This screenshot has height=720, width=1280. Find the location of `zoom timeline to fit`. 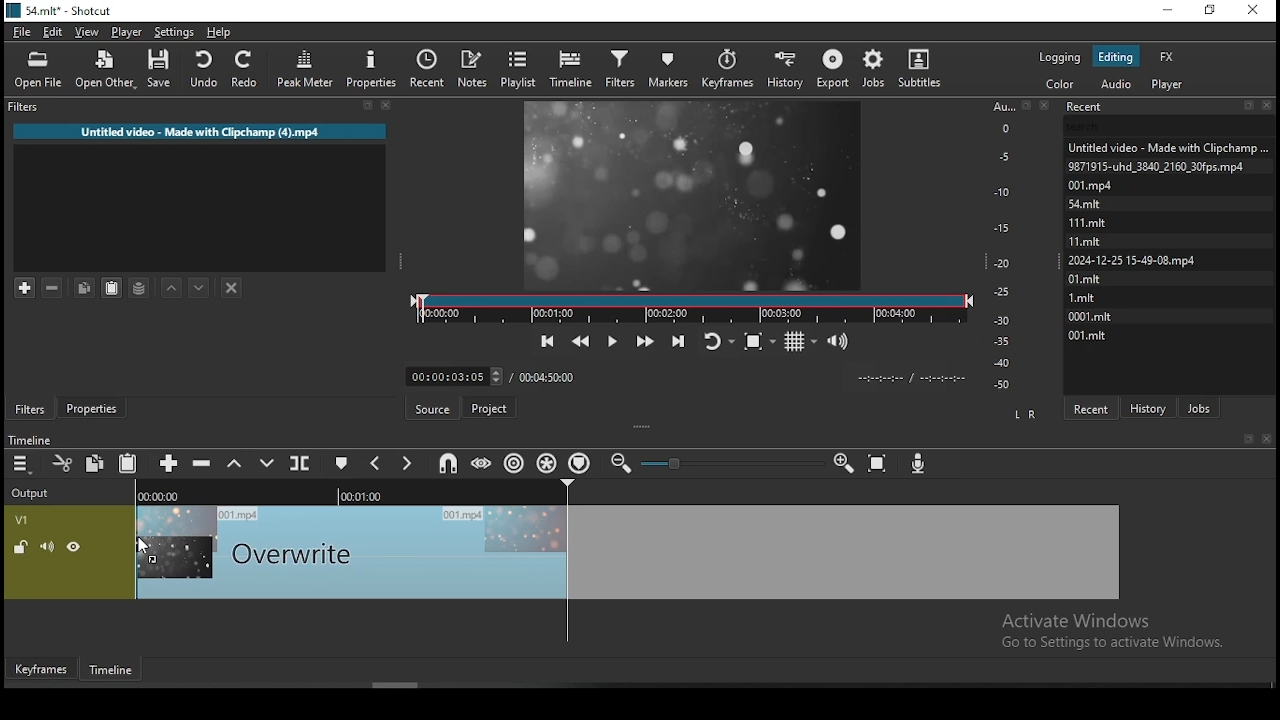

zoom timeline to fit is located at coordinates (878, 466).